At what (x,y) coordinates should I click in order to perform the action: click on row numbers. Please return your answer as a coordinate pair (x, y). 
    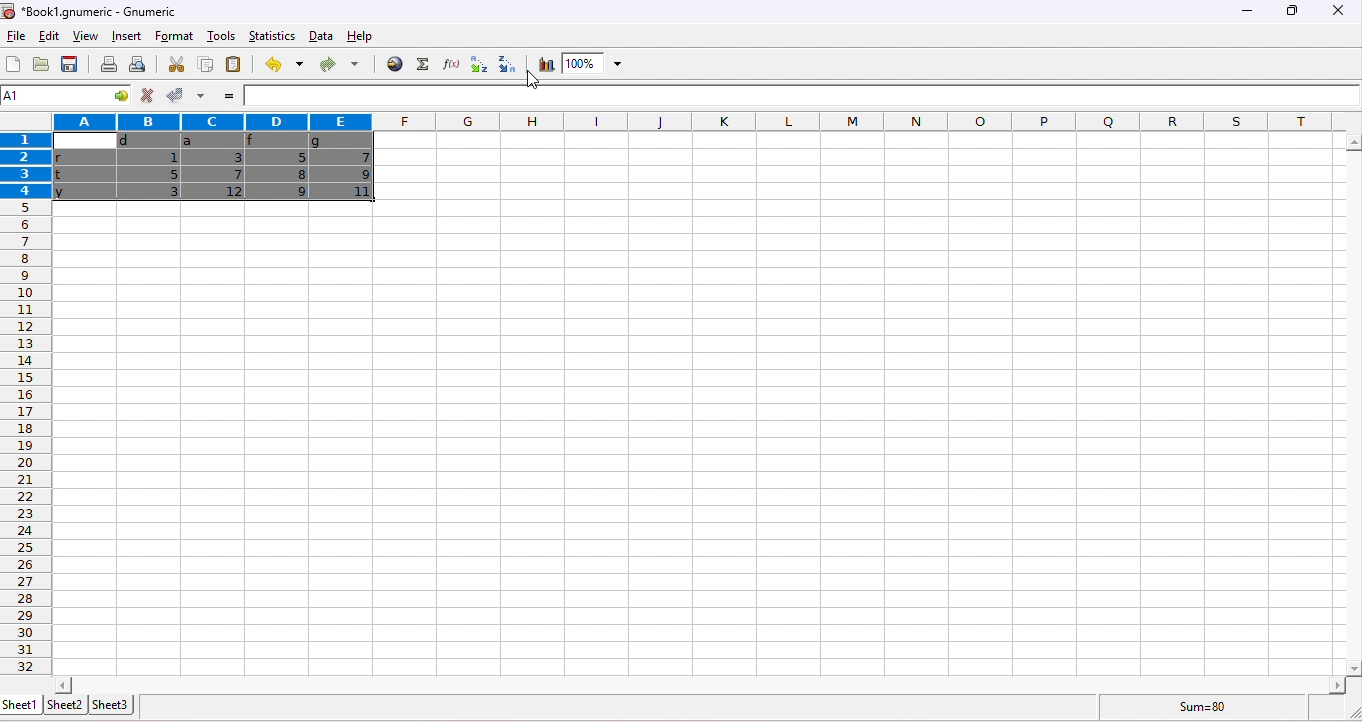
    Looking at the image, I should click on (29, 438).